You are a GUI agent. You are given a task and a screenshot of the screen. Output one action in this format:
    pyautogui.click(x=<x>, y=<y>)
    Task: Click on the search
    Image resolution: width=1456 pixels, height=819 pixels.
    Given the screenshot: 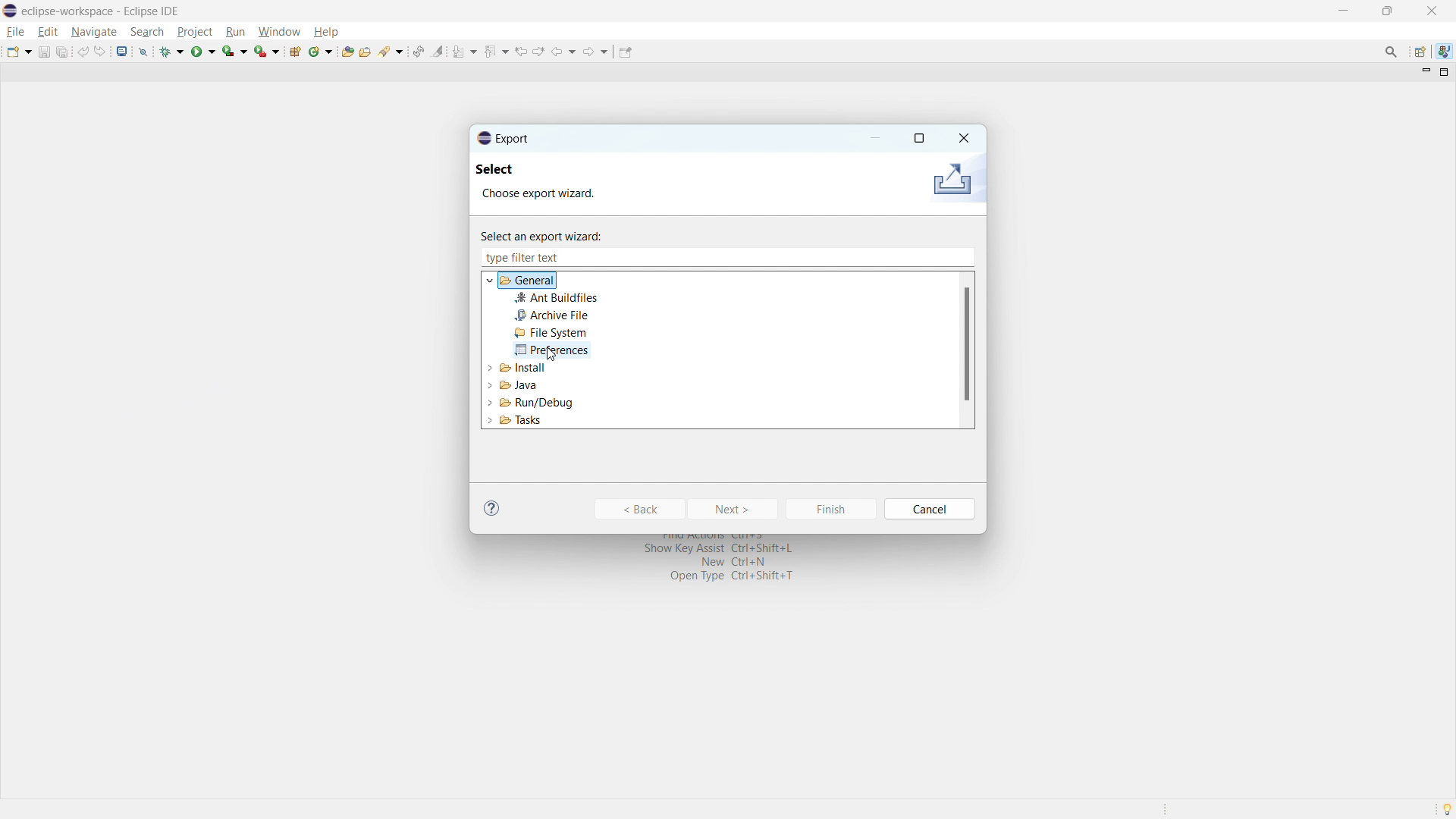 What is the action you would take?
    pyautogui.click(x=391, y=50)
    